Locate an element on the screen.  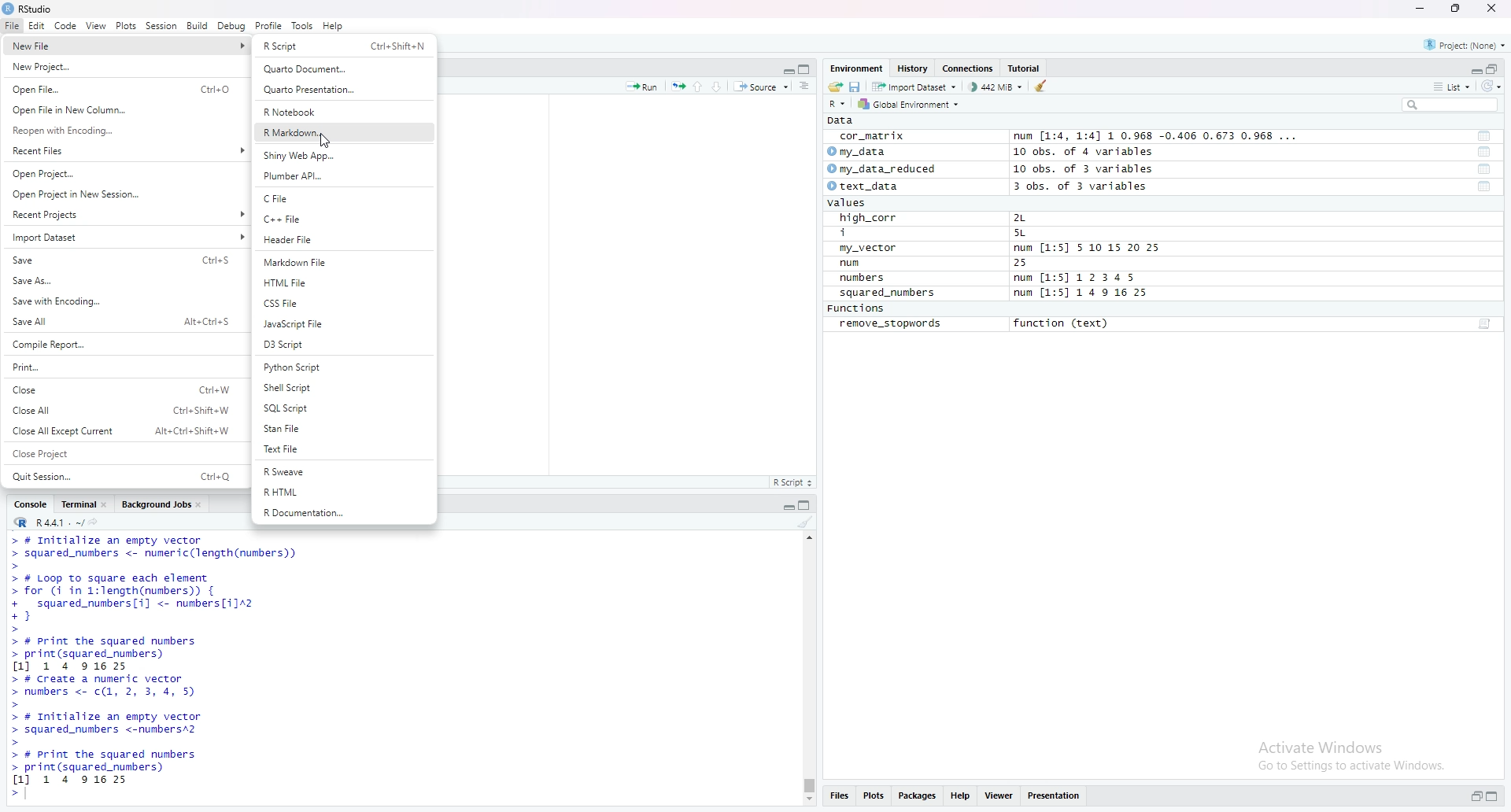
R Documentation... is located at coordinates (342, 514).